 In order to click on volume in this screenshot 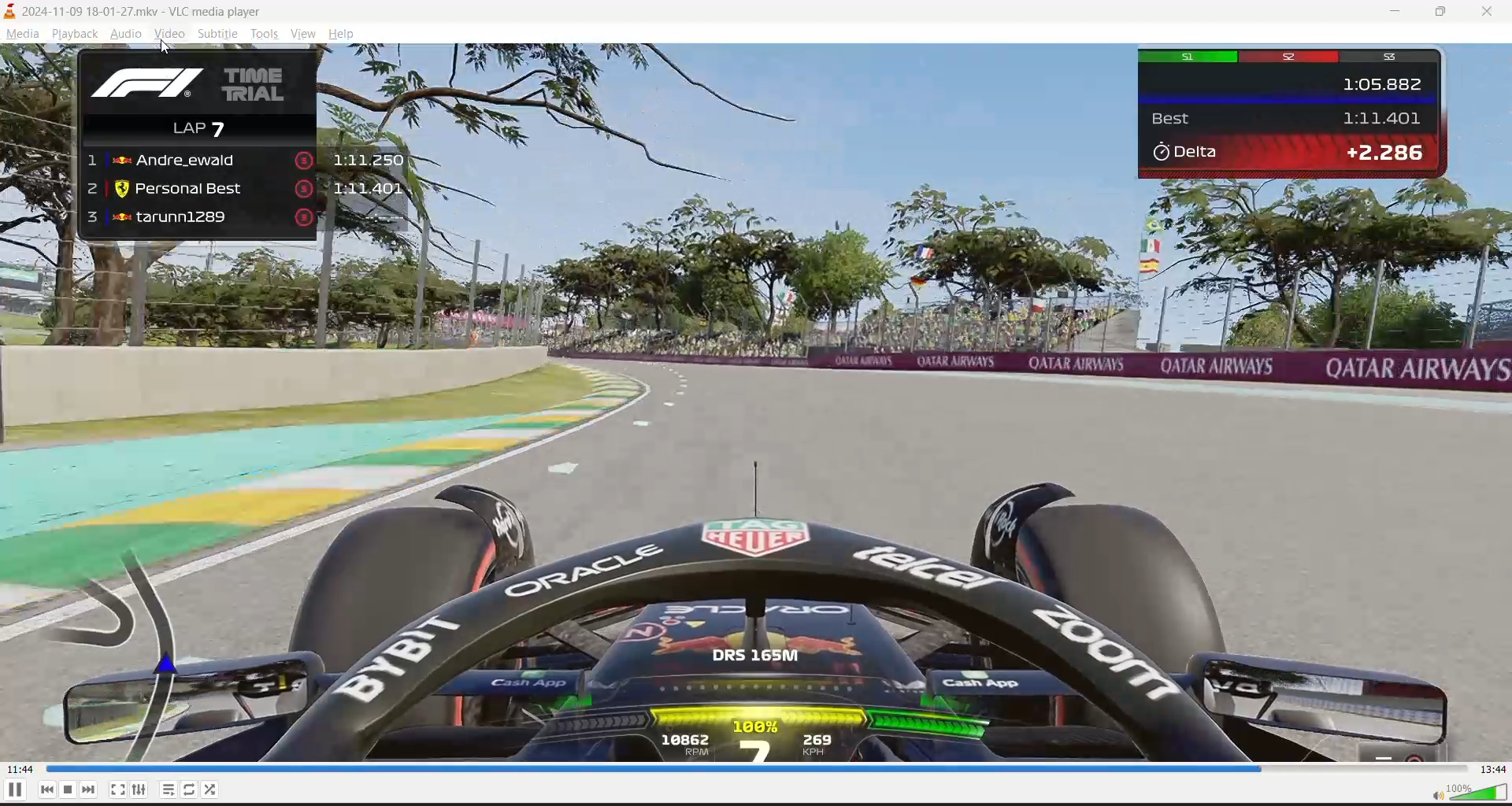, I will do `click(1461, 793)`.